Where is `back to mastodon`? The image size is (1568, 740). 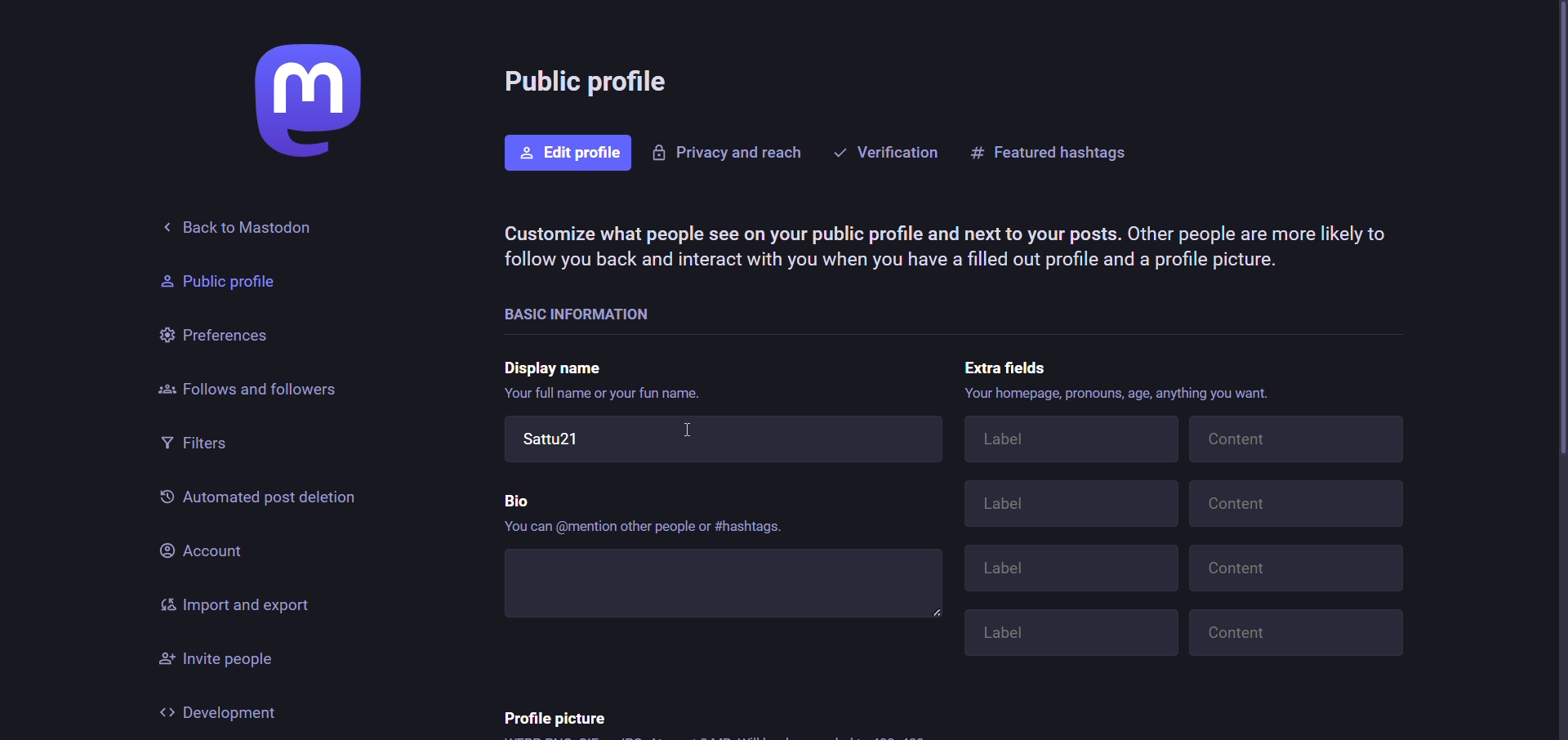
back to mastodon is located at coordinates (253, 225).